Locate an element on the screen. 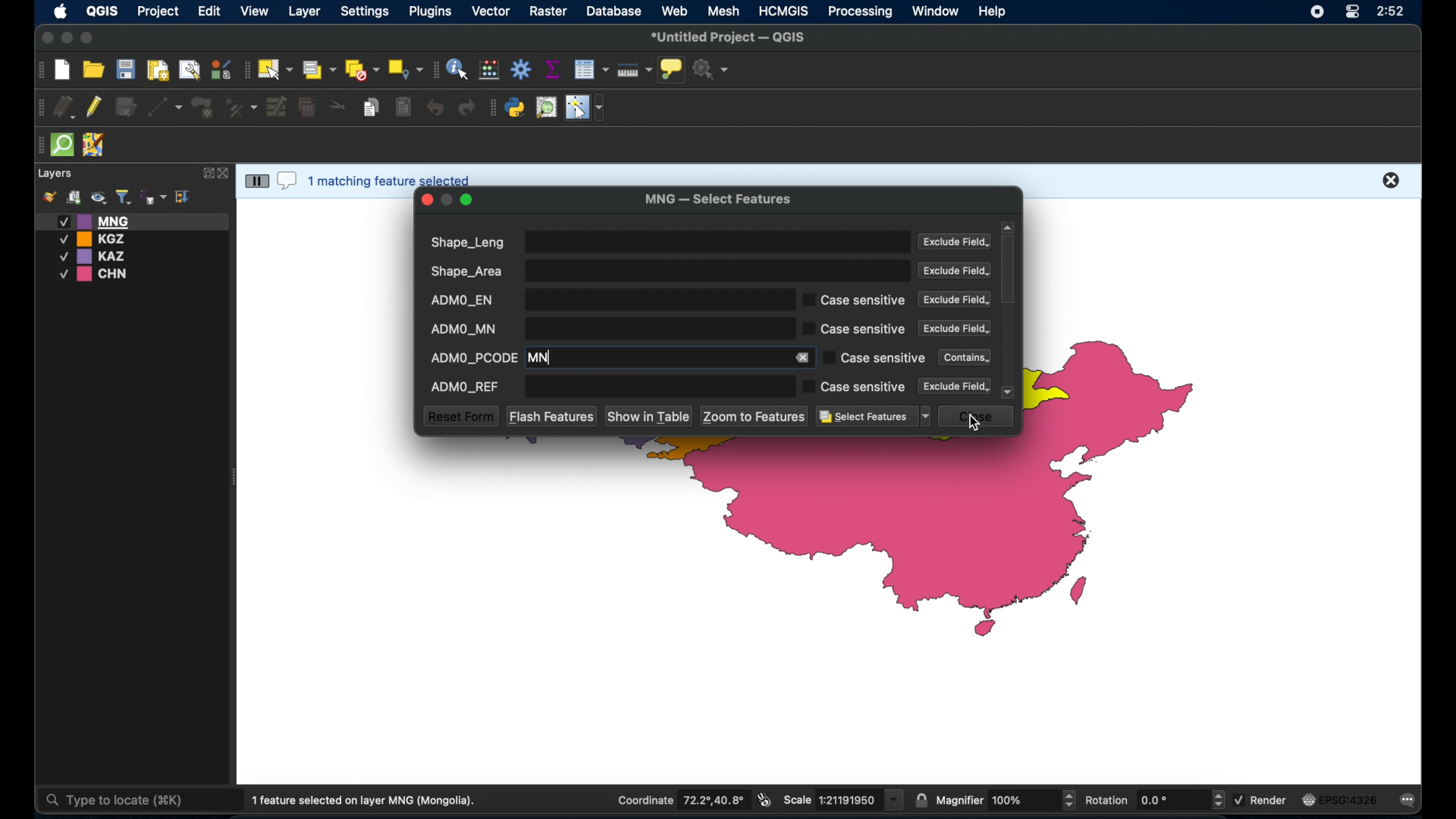  open attribute table is located at coordinates (593, 70).